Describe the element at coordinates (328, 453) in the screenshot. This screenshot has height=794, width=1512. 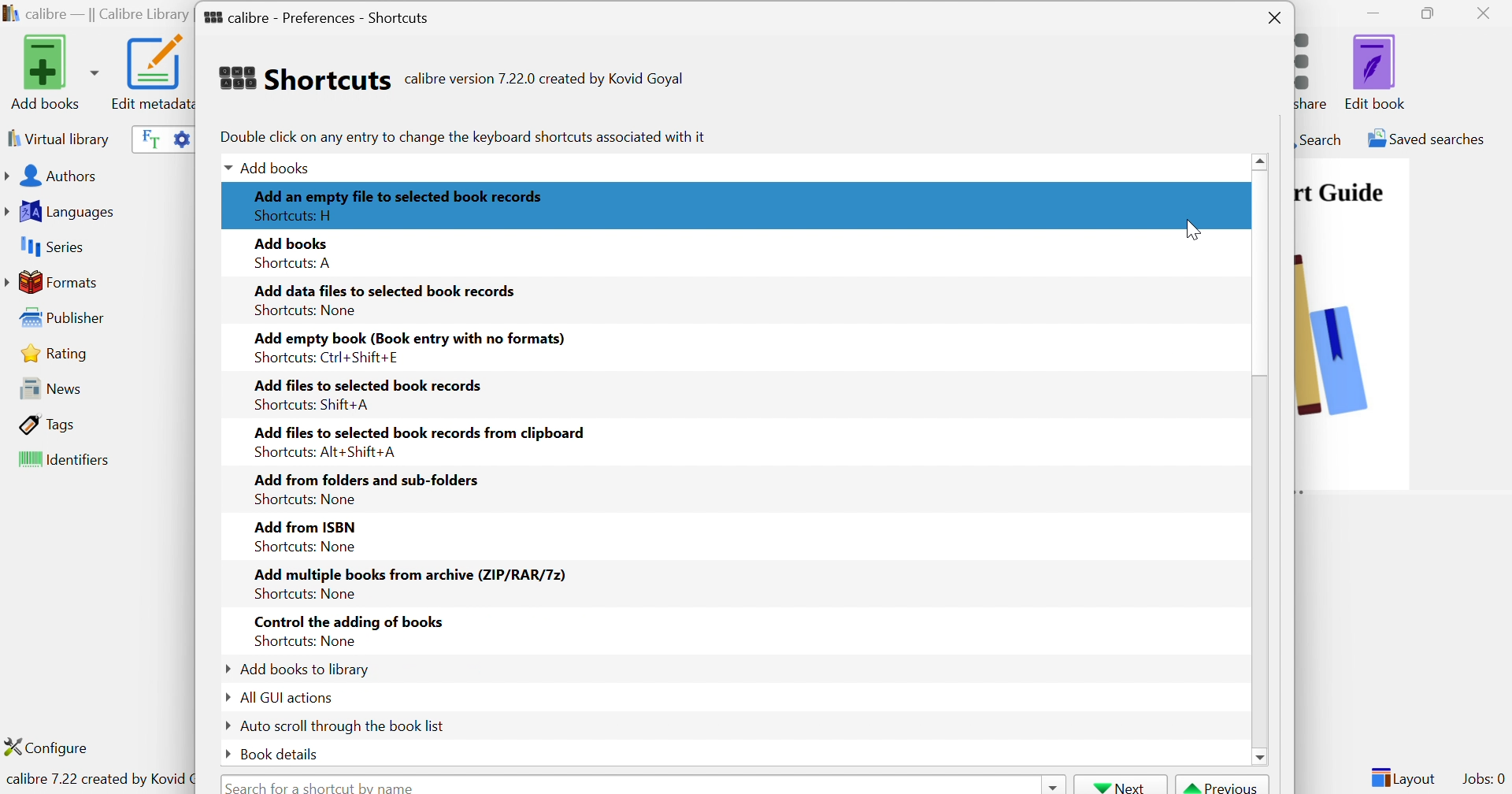
I see `Shortcuts: Alt+Shift+A` at that location.